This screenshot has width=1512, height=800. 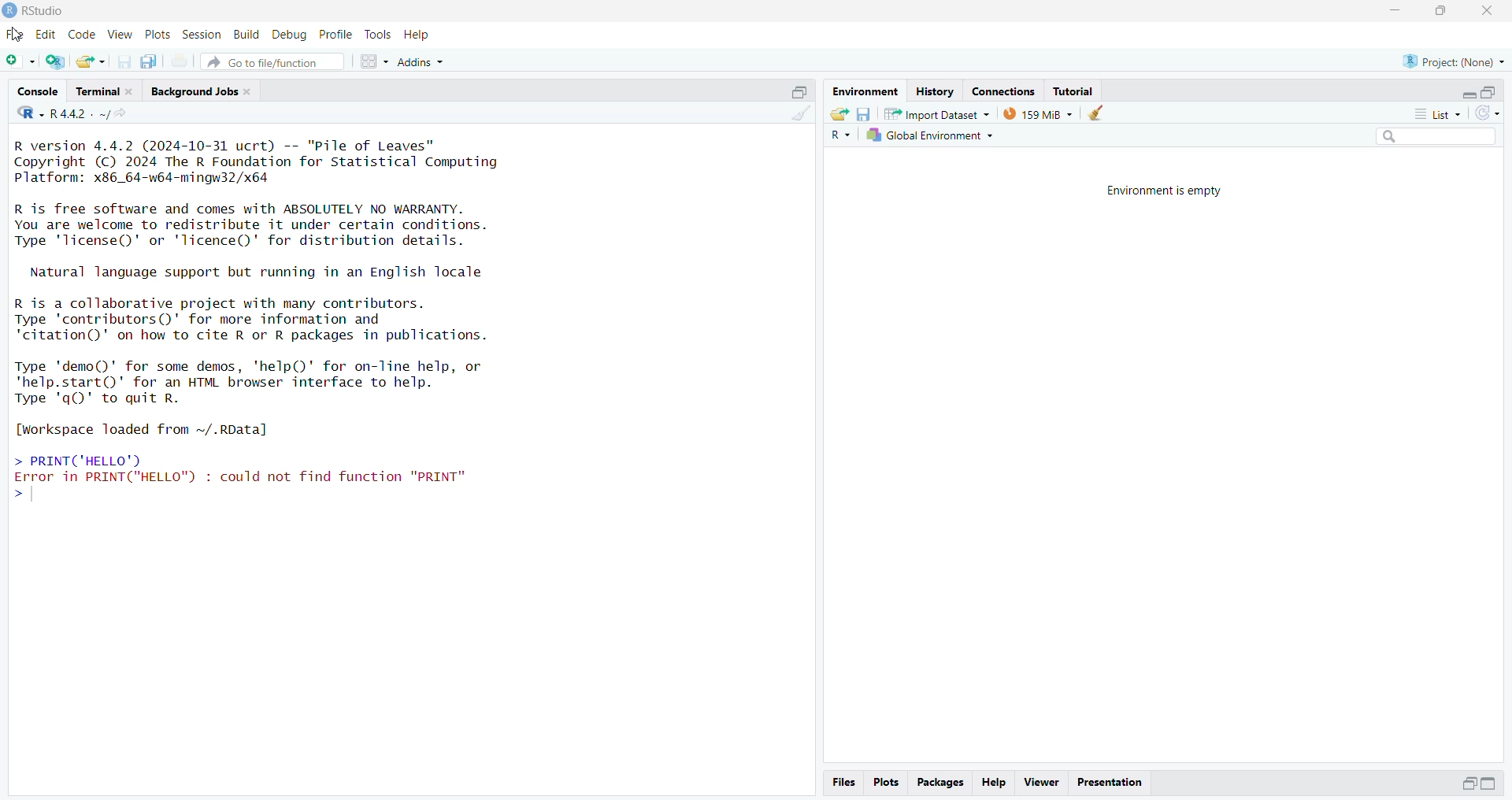 I want to click on collapse, so click(x=1492, y=92).